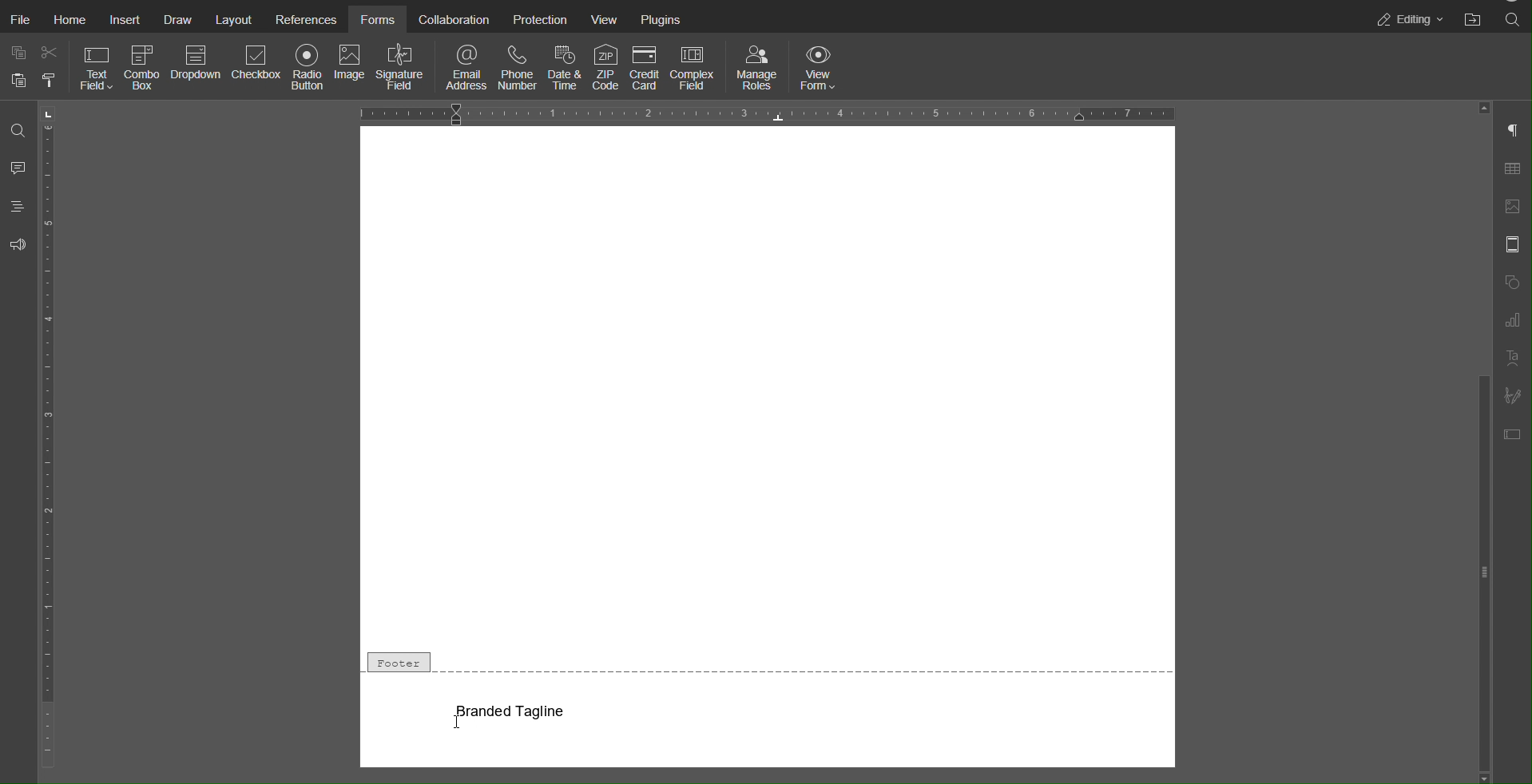 Image resolution: width=1532 pixels, height=784 pixels. Describe the element at coordinates (823, 67) in the screenshot. I see `View Form` at that location.